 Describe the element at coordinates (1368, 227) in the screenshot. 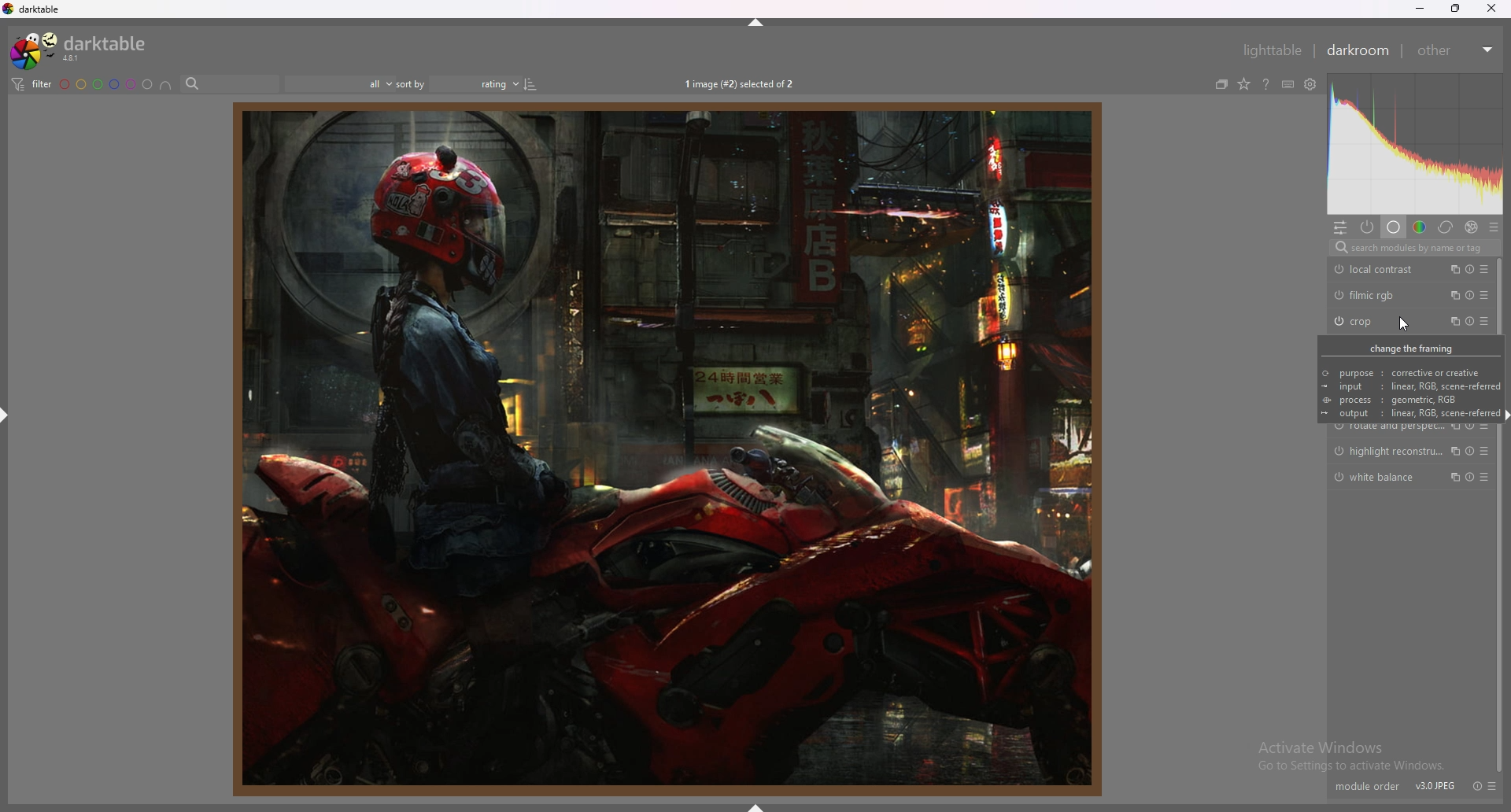

I see `active modules` at that location.